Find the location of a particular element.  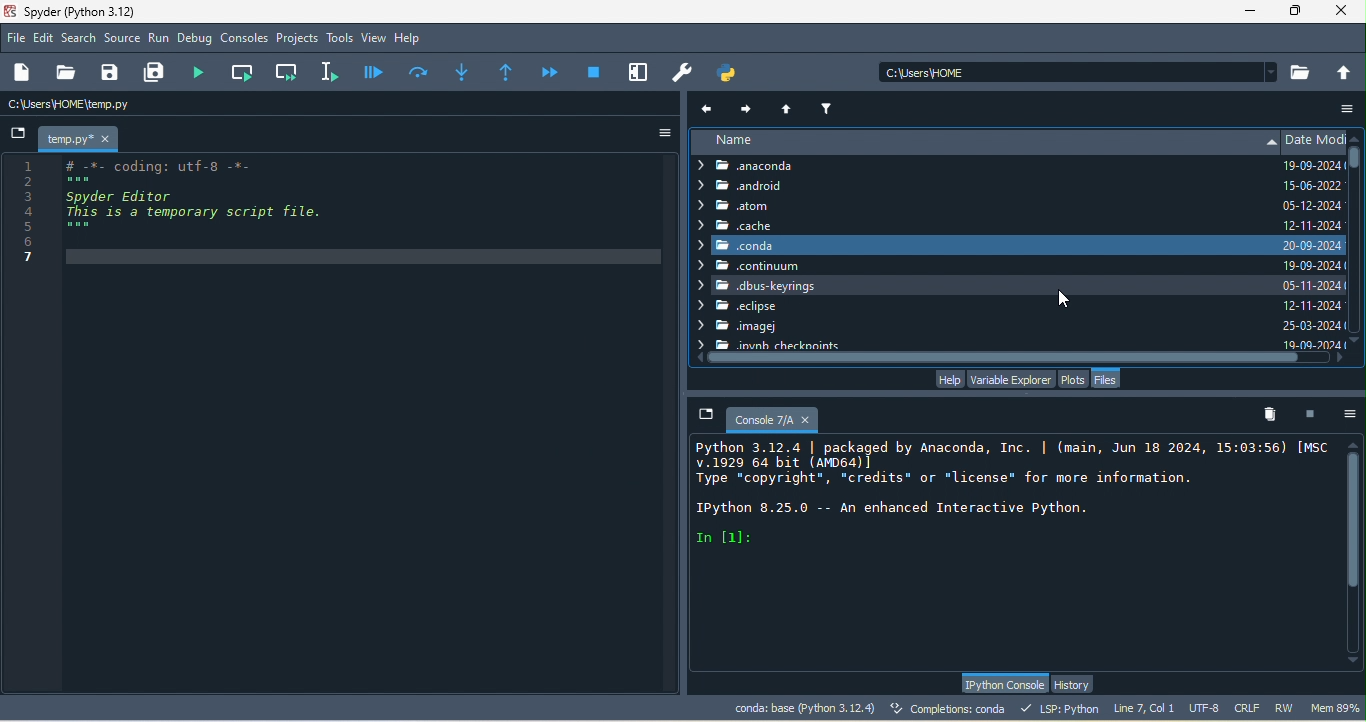

open is located at coordinates (65, 73).